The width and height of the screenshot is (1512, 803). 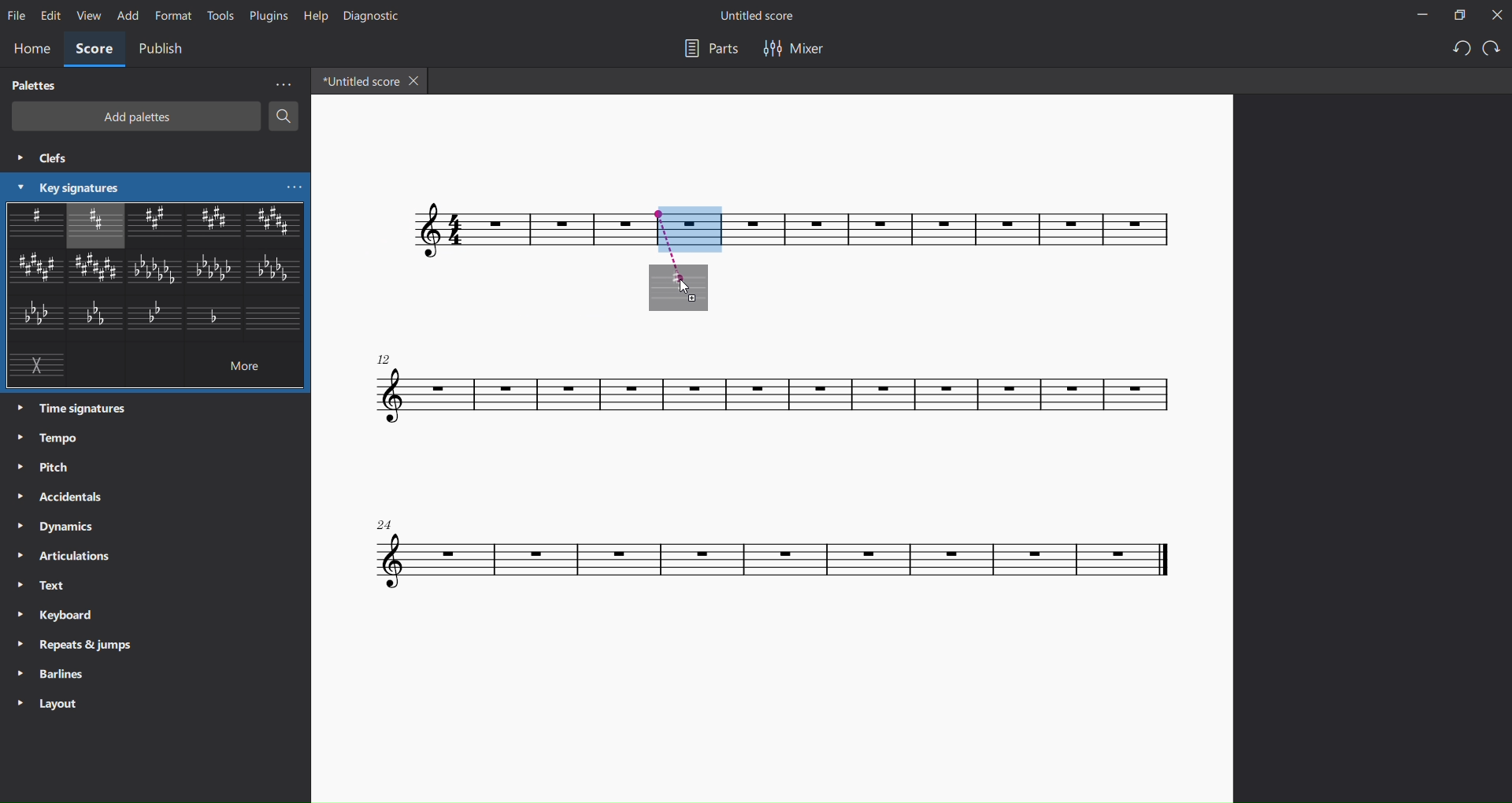 I want to click on more, so click(x=242, y=368).